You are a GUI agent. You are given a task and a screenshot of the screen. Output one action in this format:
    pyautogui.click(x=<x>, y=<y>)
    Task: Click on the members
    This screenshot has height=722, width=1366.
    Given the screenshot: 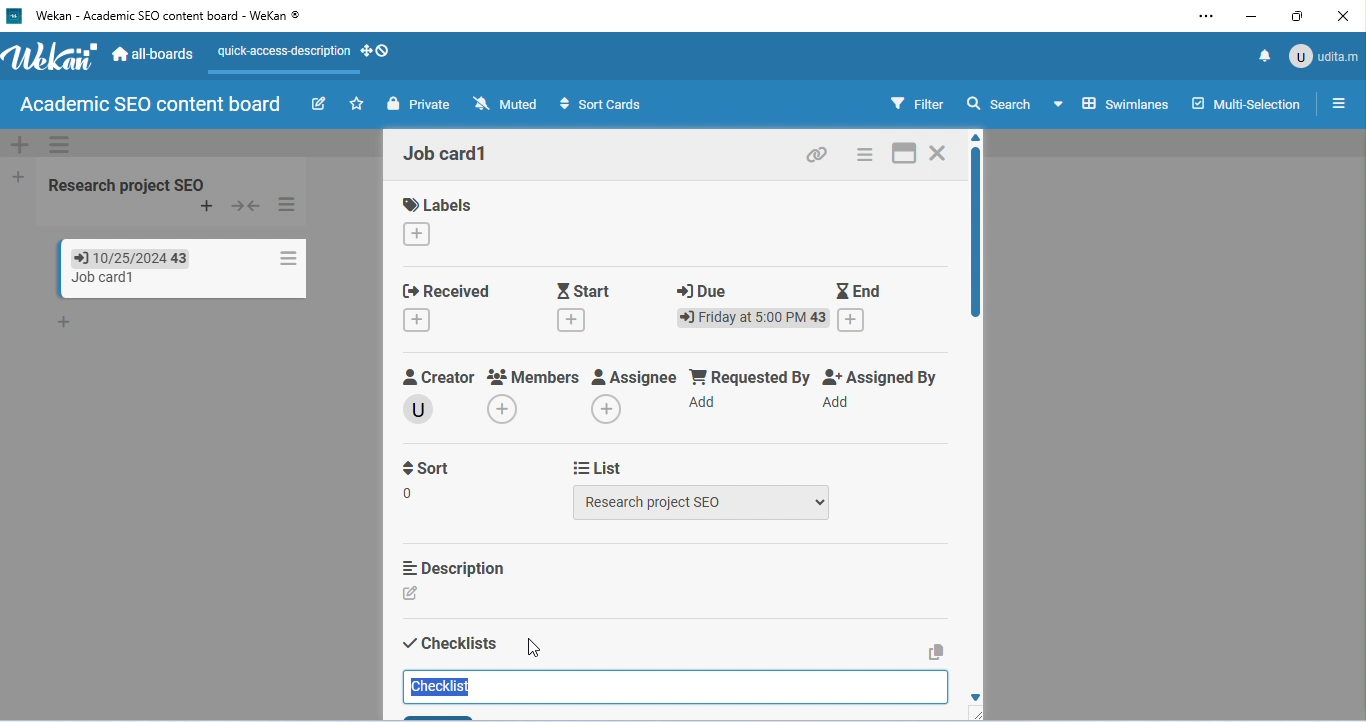 What is the action you would take?
    pyautogui.click(x=534, y=377)
    